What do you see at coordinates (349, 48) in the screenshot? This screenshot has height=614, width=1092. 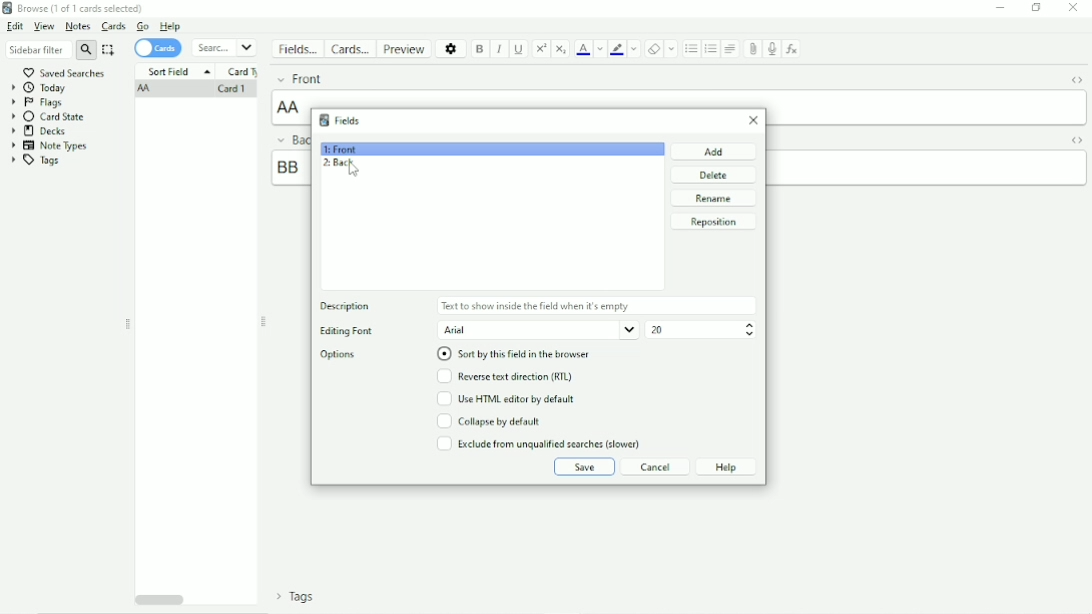 I see `Cards` at bounding box center [349, 48].